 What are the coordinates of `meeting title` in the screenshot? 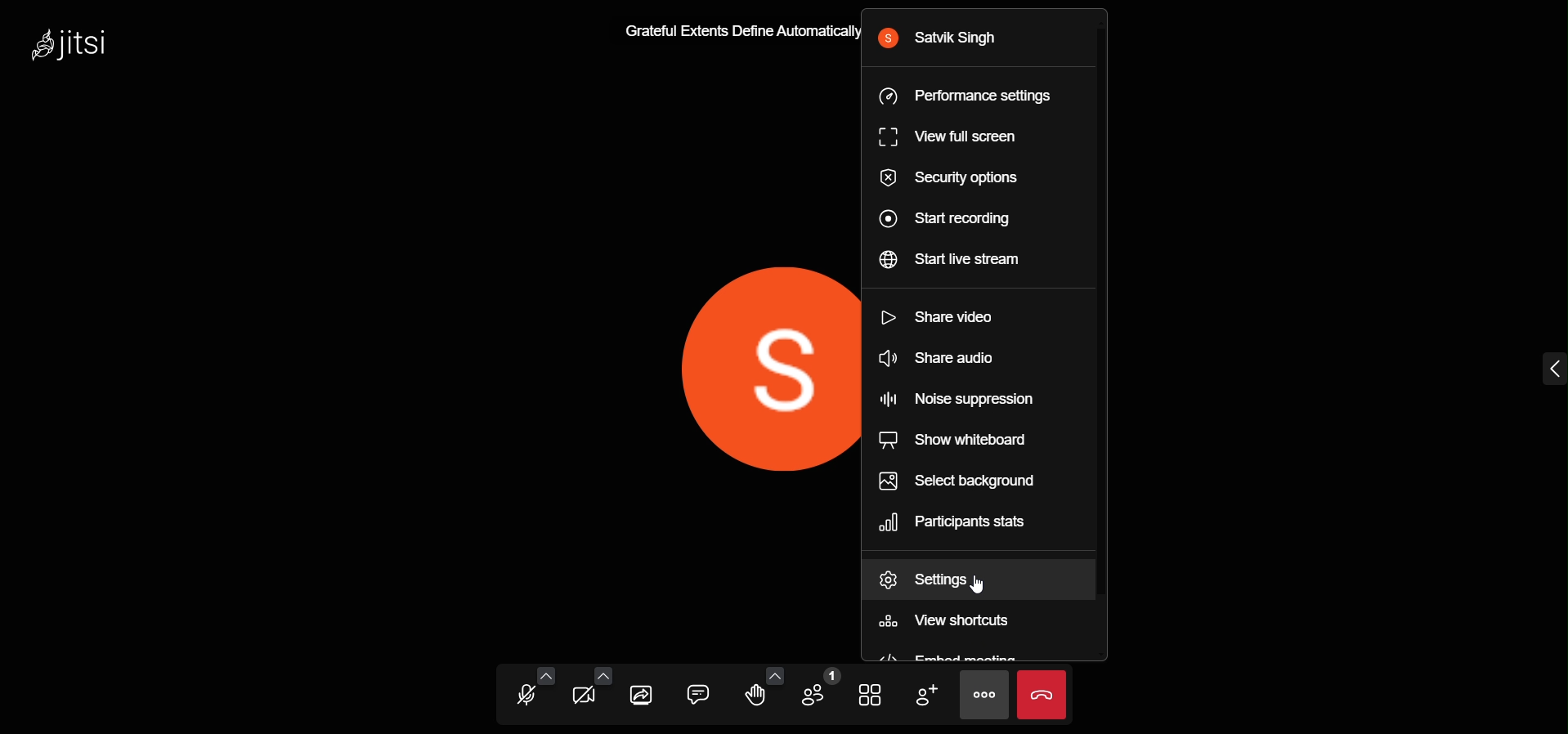 It's located at (741, 31).